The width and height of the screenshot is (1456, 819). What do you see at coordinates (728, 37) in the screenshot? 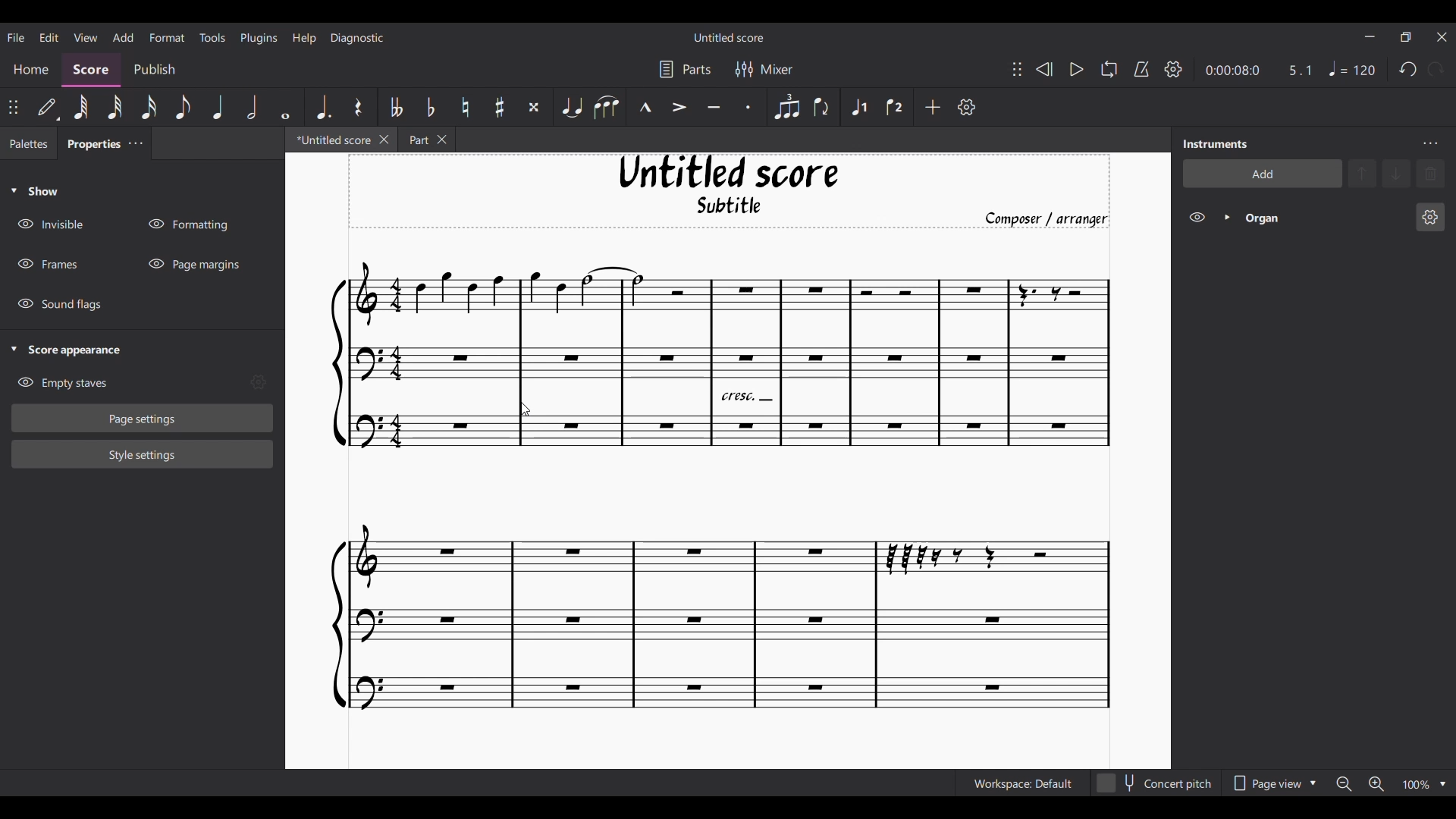
I see `Score title` at bounding box center [728, 37].